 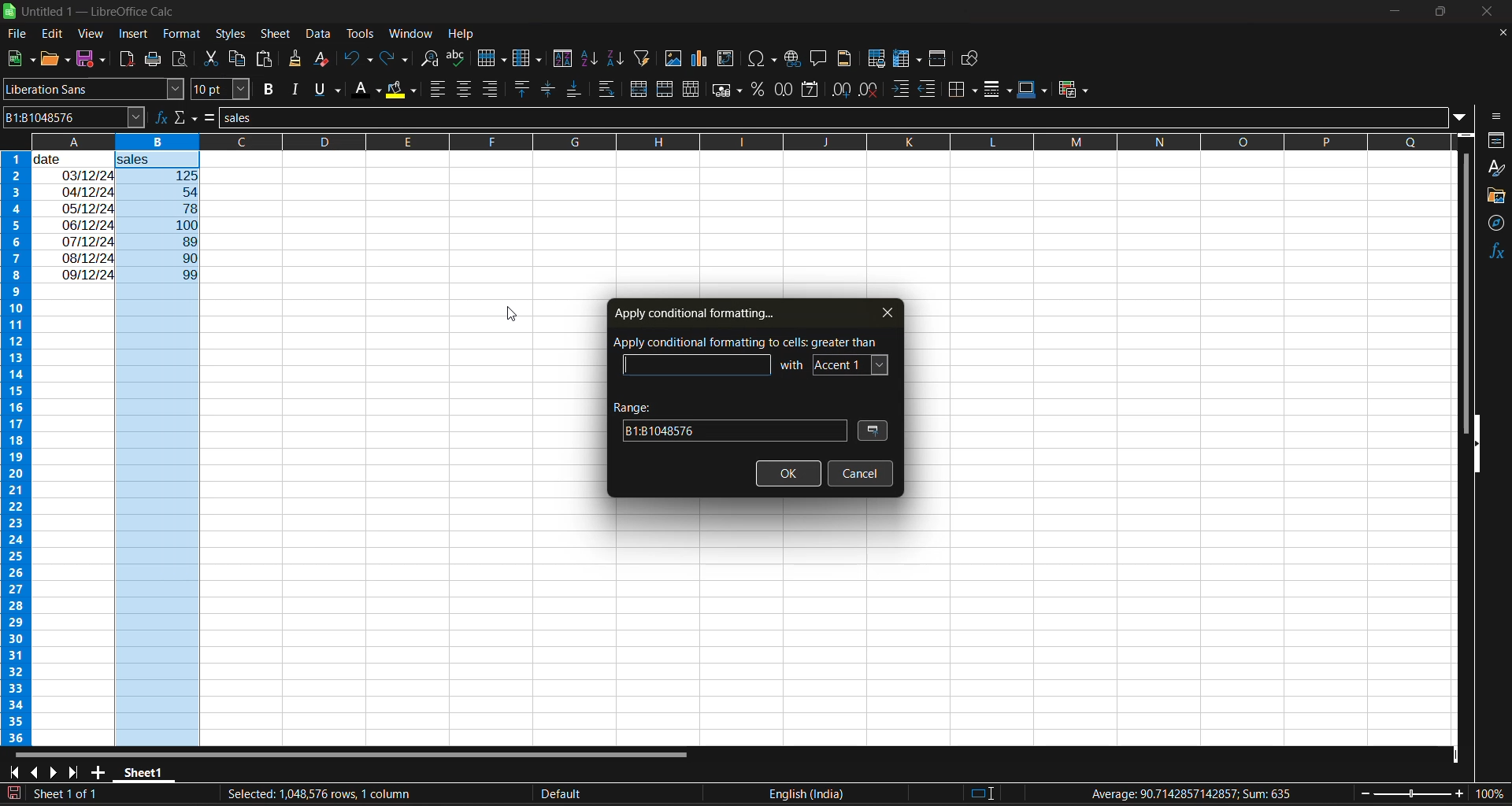 I want to click on app name and file name, so click(x=94, y=12).